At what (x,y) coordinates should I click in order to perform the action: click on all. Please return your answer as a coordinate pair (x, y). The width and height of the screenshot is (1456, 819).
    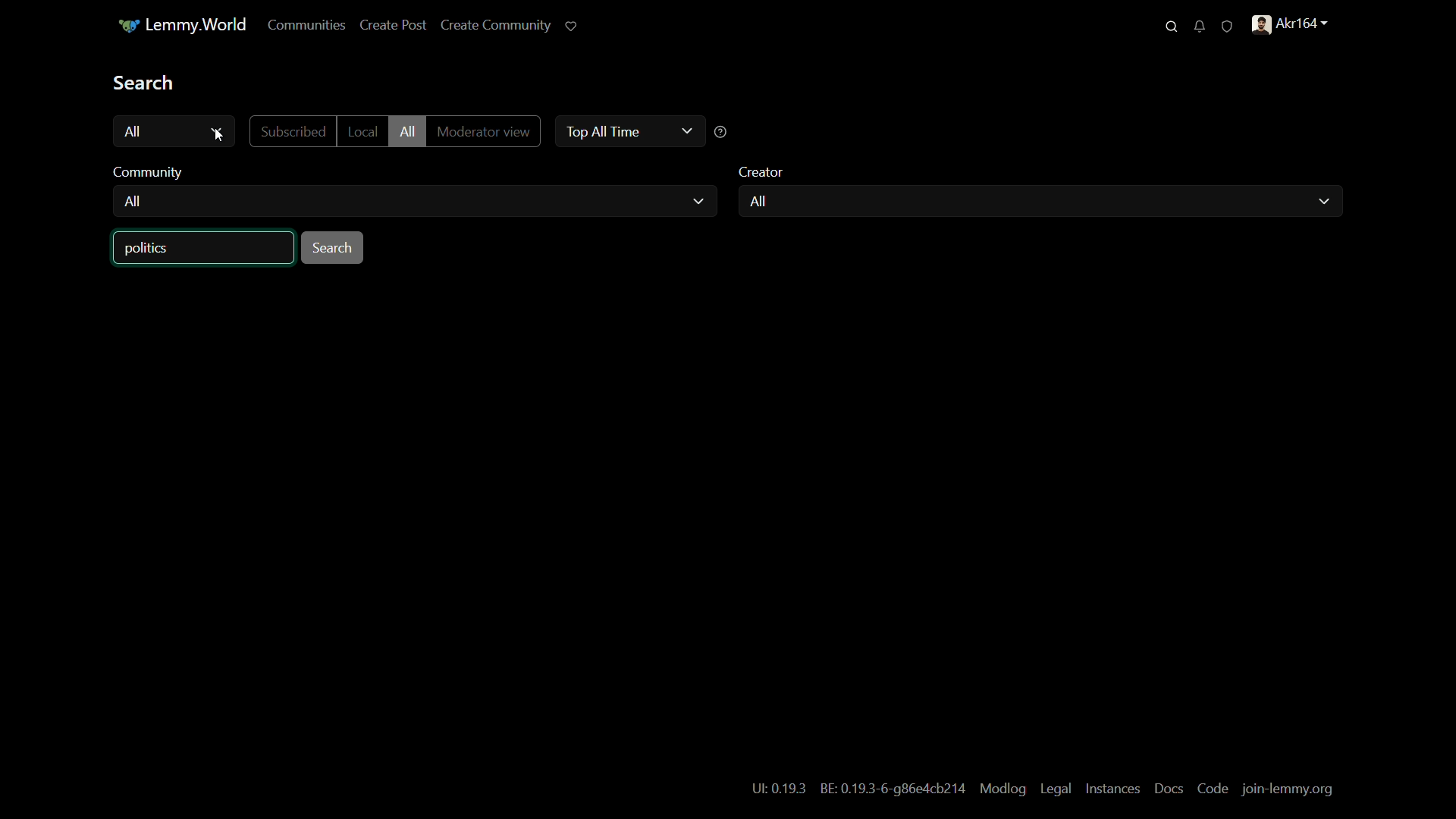
    Looking at the image, I should click on (135, 131).